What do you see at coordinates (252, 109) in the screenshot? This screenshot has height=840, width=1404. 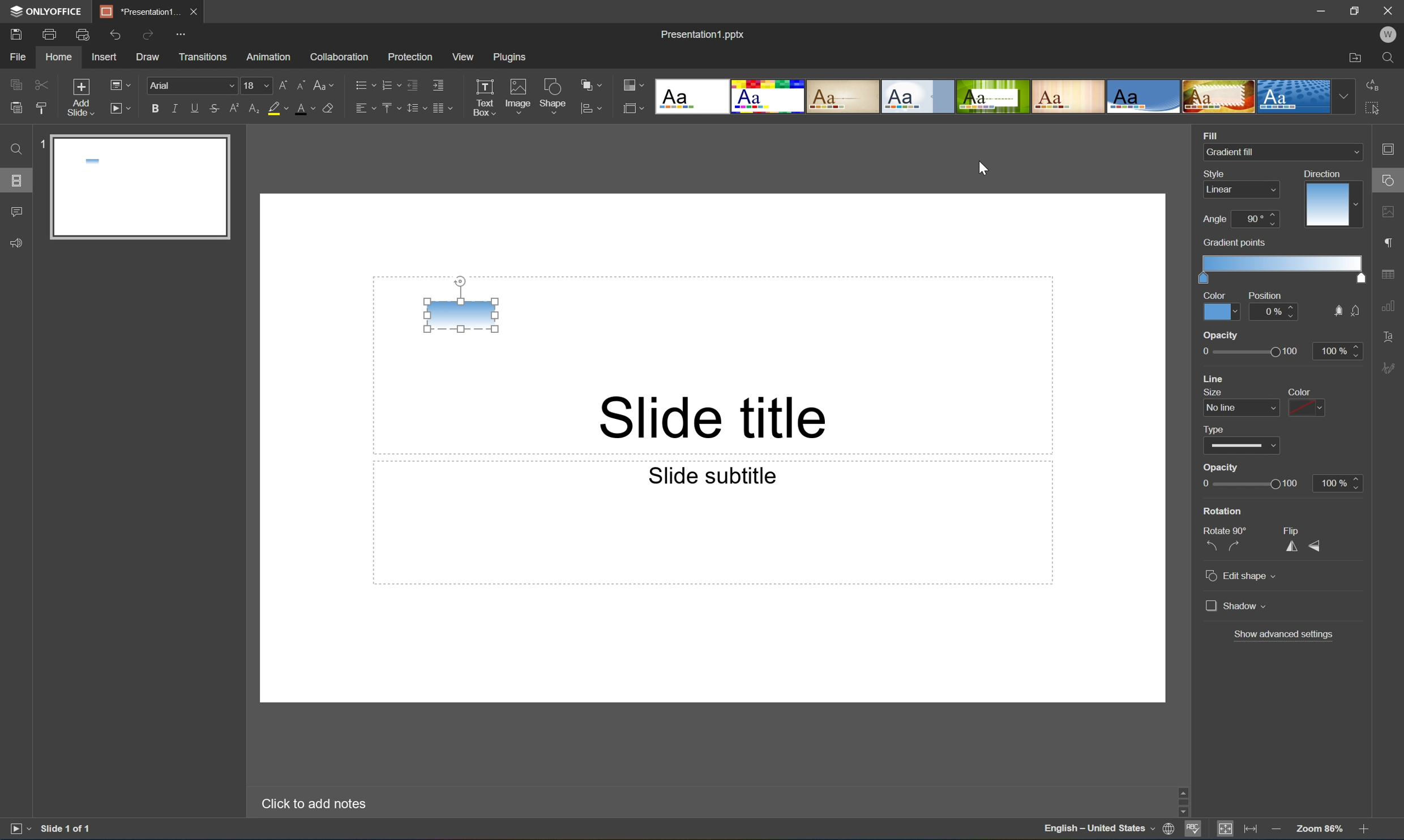 I see `Subscript` at bounding box center [252, 109].